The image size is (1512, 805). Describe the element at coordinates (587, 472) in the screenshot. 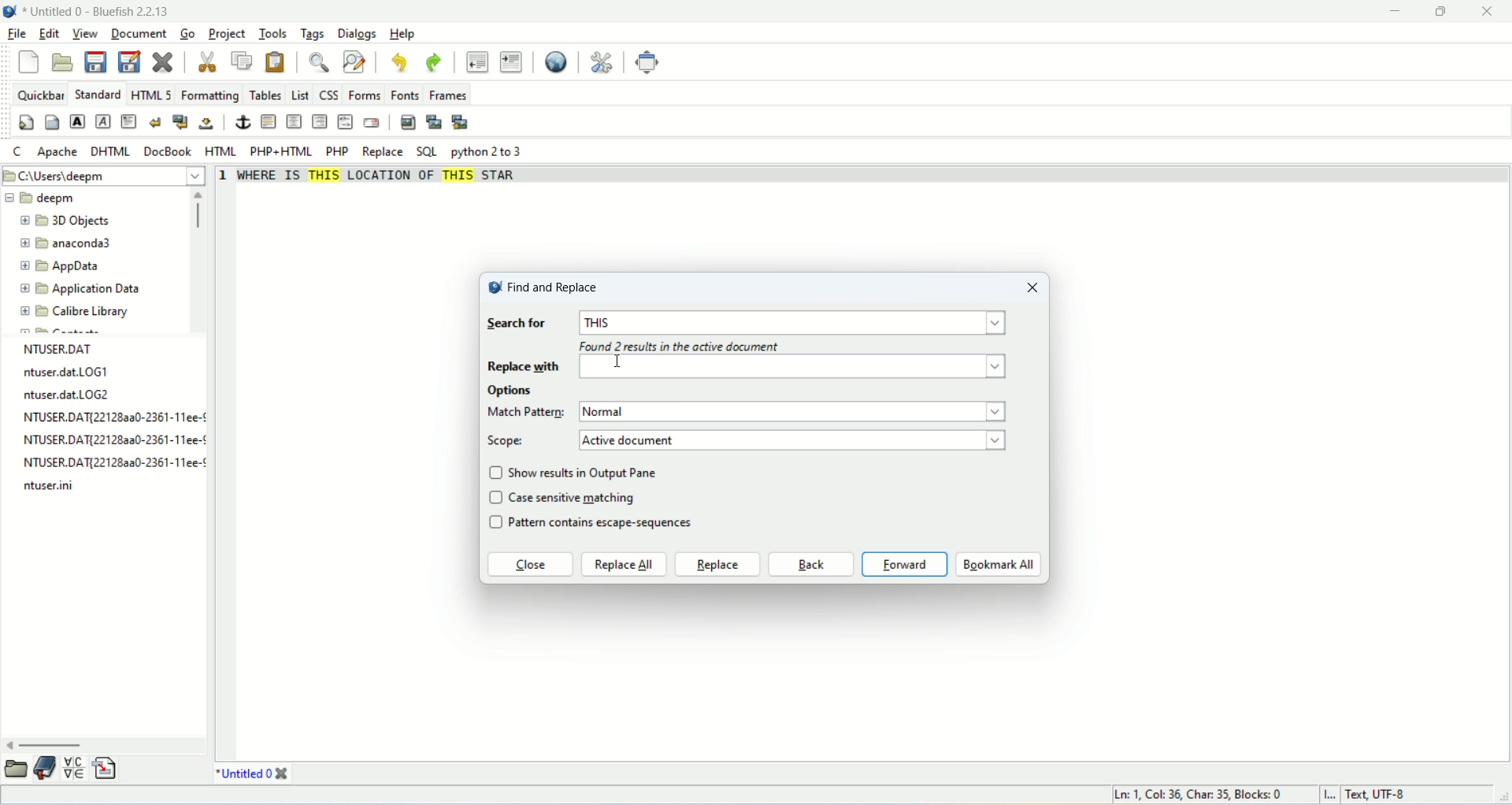

I see `show results in Output pane` at that location.